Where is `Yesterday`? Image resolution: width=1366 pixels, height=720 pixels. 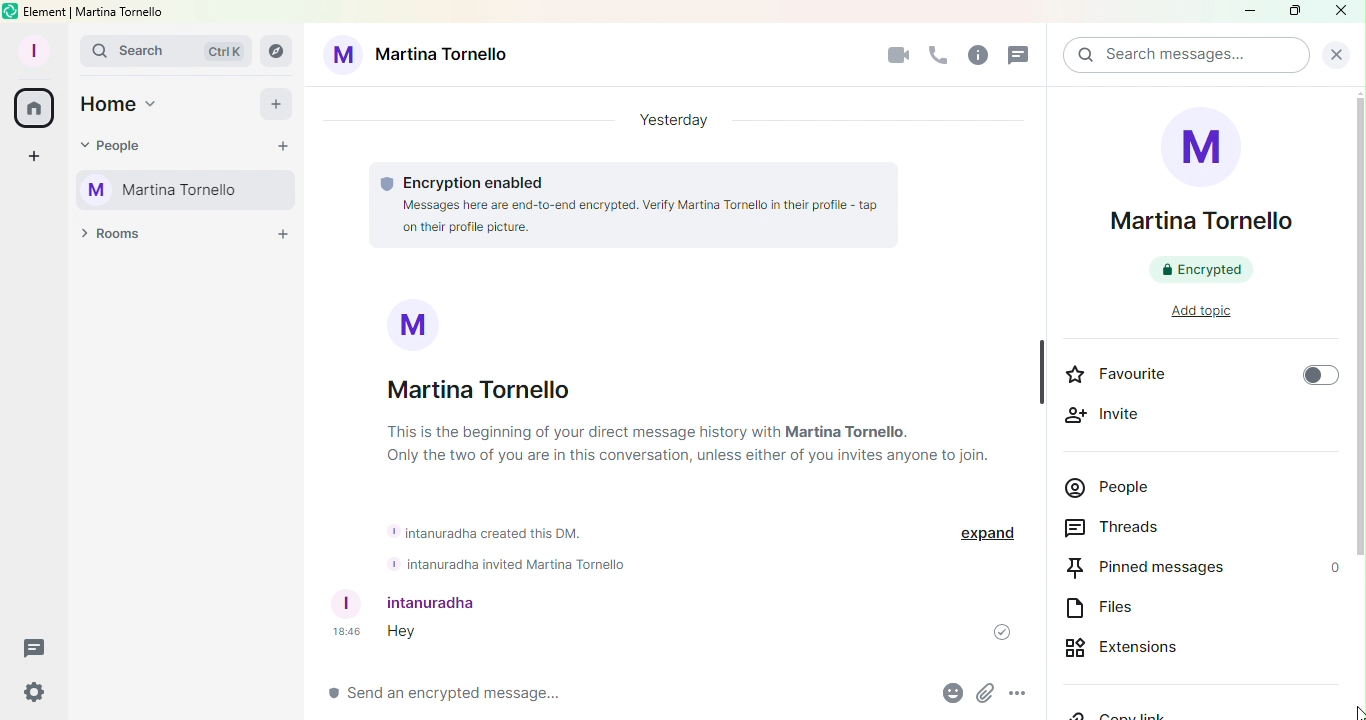 Yesterday is located at coordinates (682, 119).